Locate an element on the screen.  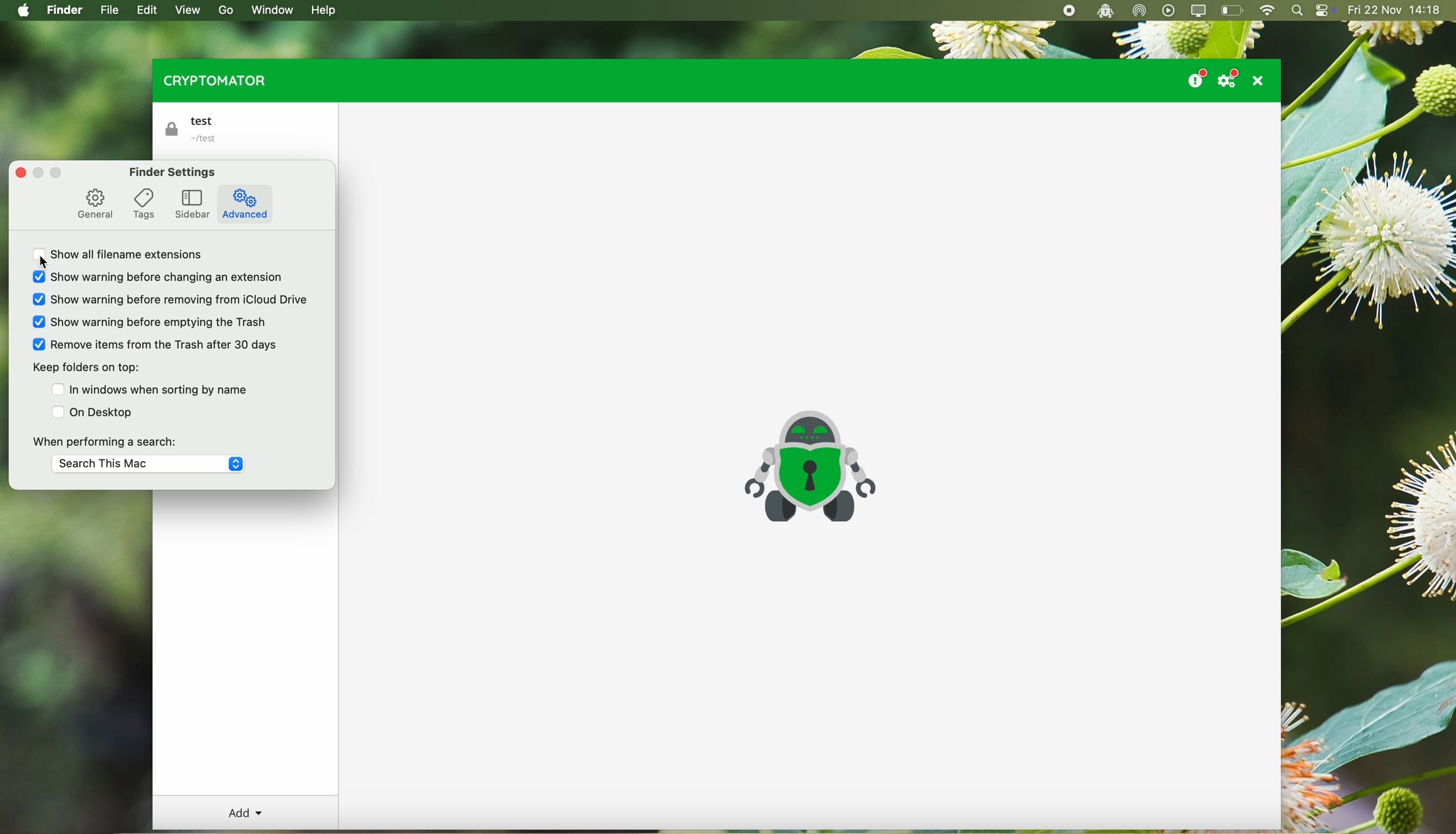
cryptomator is located at coordinates (212, 80).